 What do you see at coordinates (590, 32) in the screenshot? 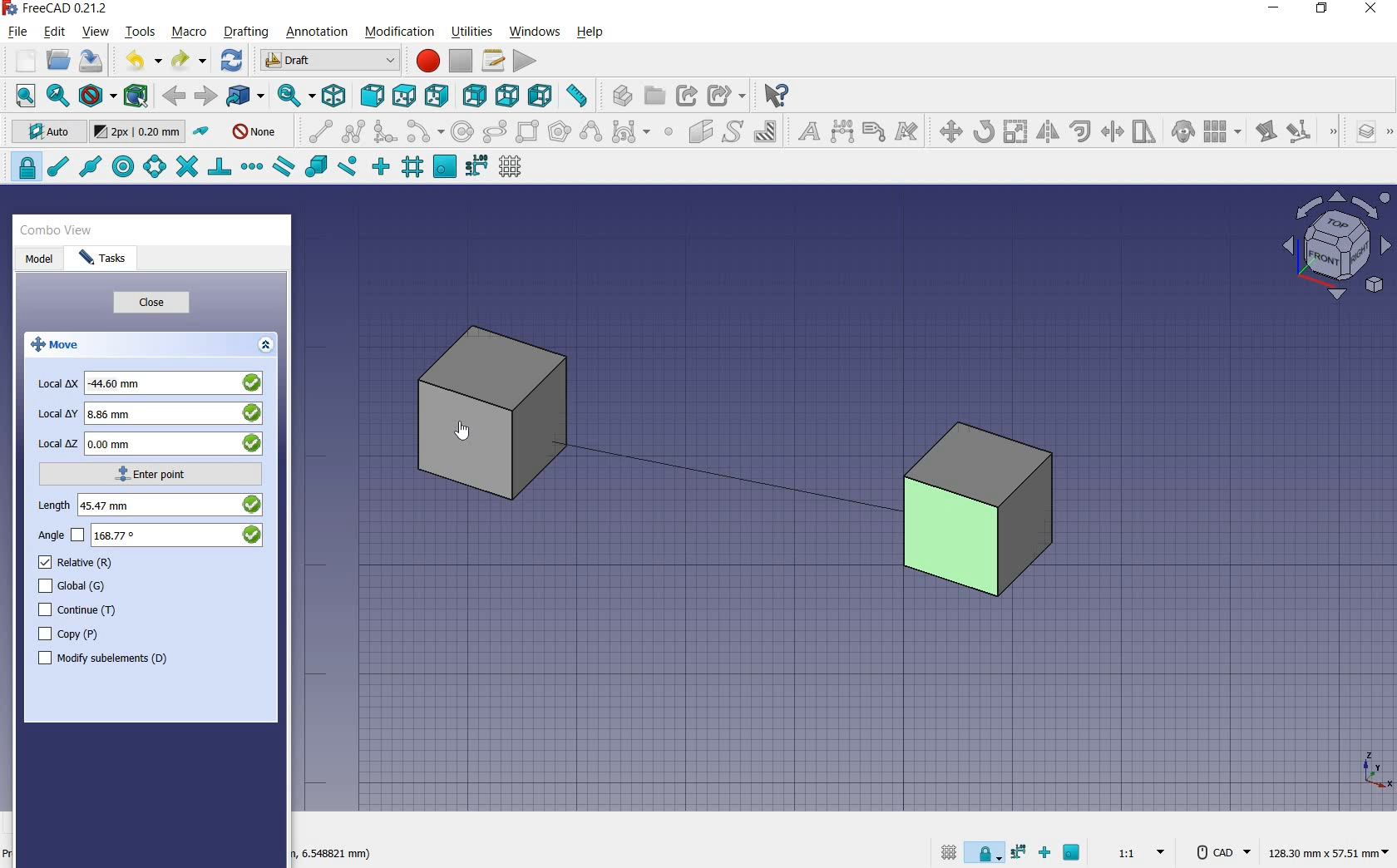
I see `help` at bounding box center [590, 32].